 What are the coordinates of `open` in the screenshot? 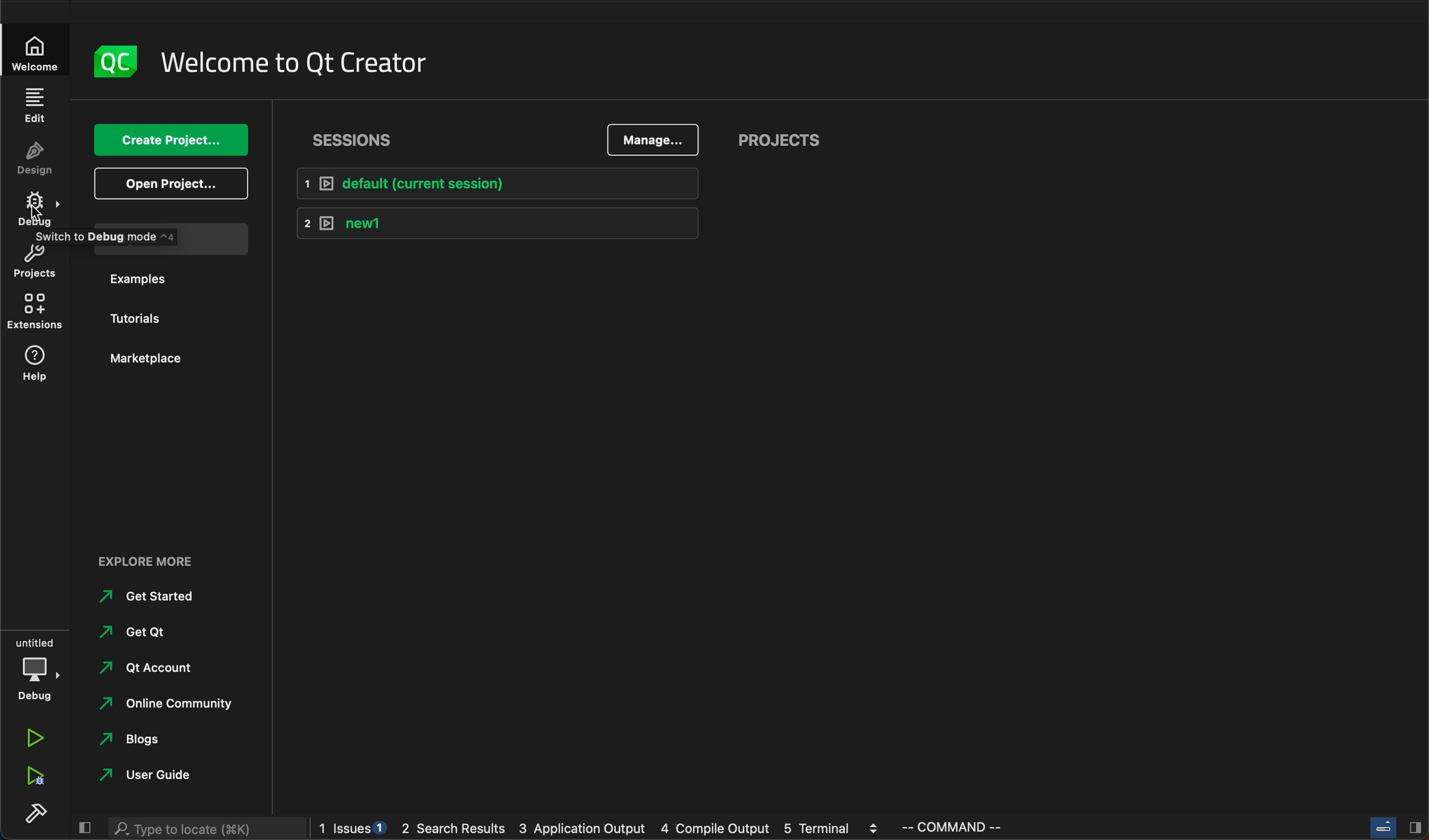 It's located at (168, 184).